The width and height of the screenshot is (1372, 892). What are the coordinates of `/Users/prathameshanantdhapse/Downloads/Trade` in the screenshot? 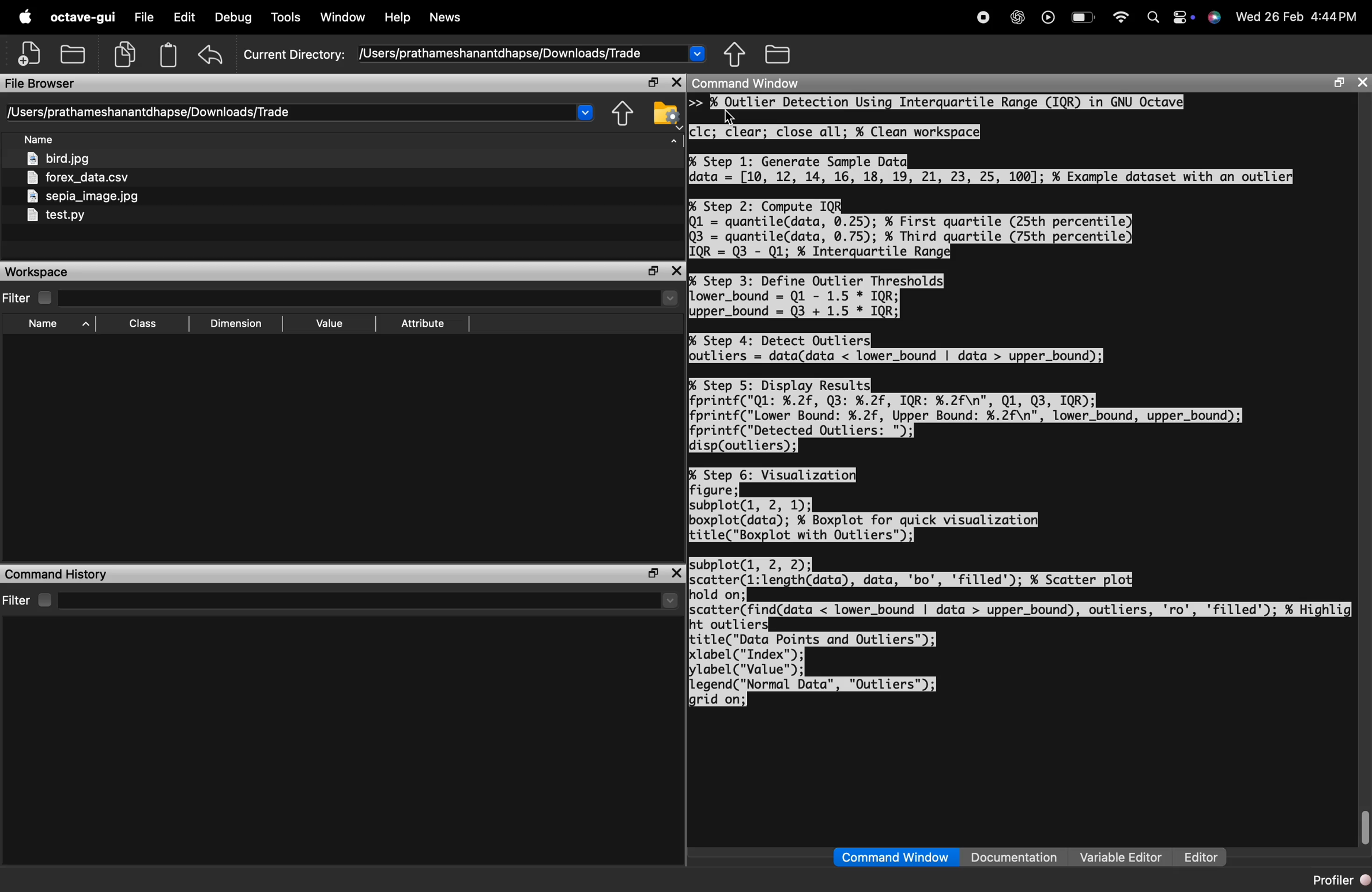 It's located at (502, 54).